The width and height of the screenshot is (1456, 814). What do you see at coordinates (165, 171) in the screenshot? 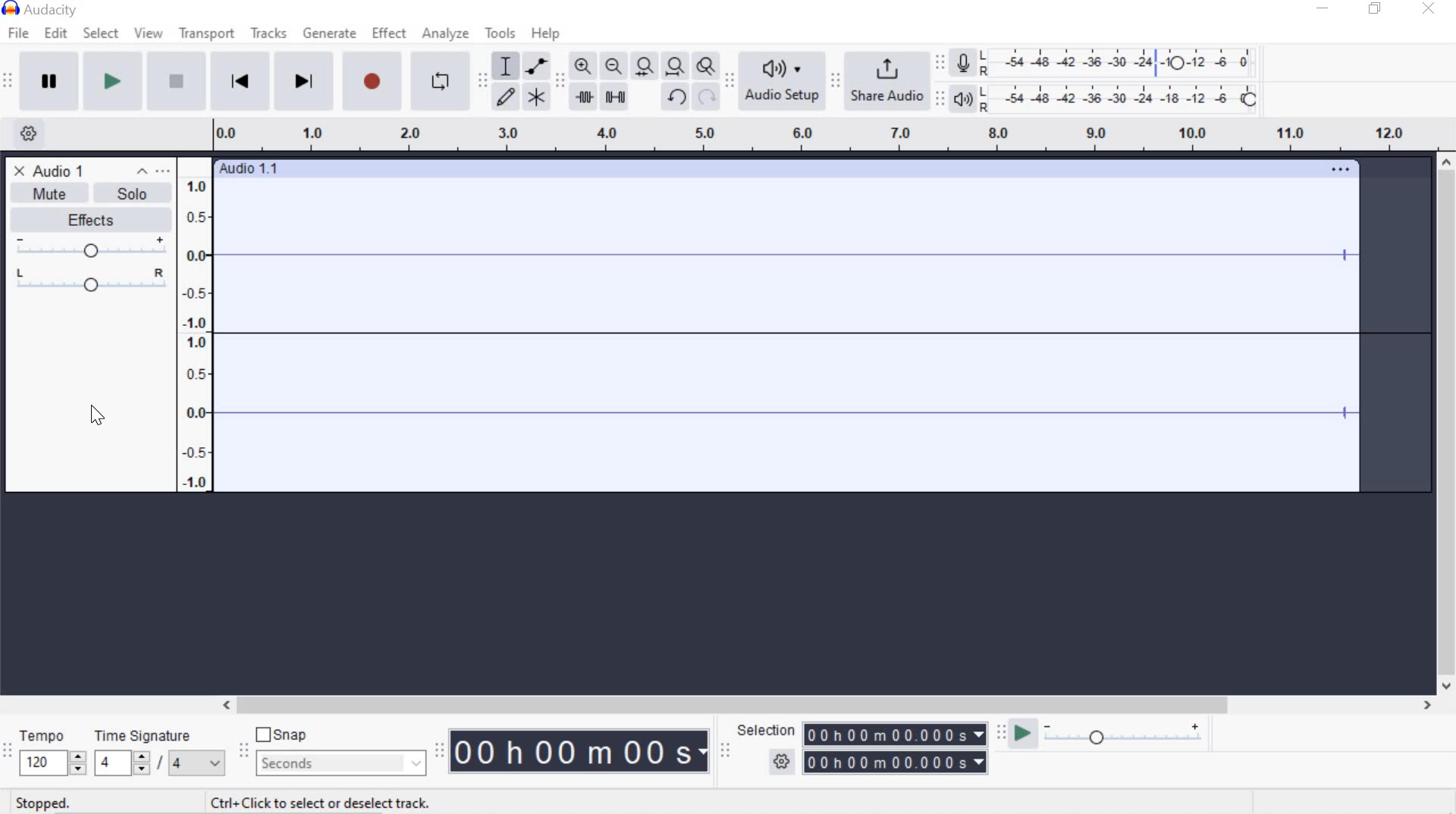
I see `Open menu` at bounding box center [165, 171].